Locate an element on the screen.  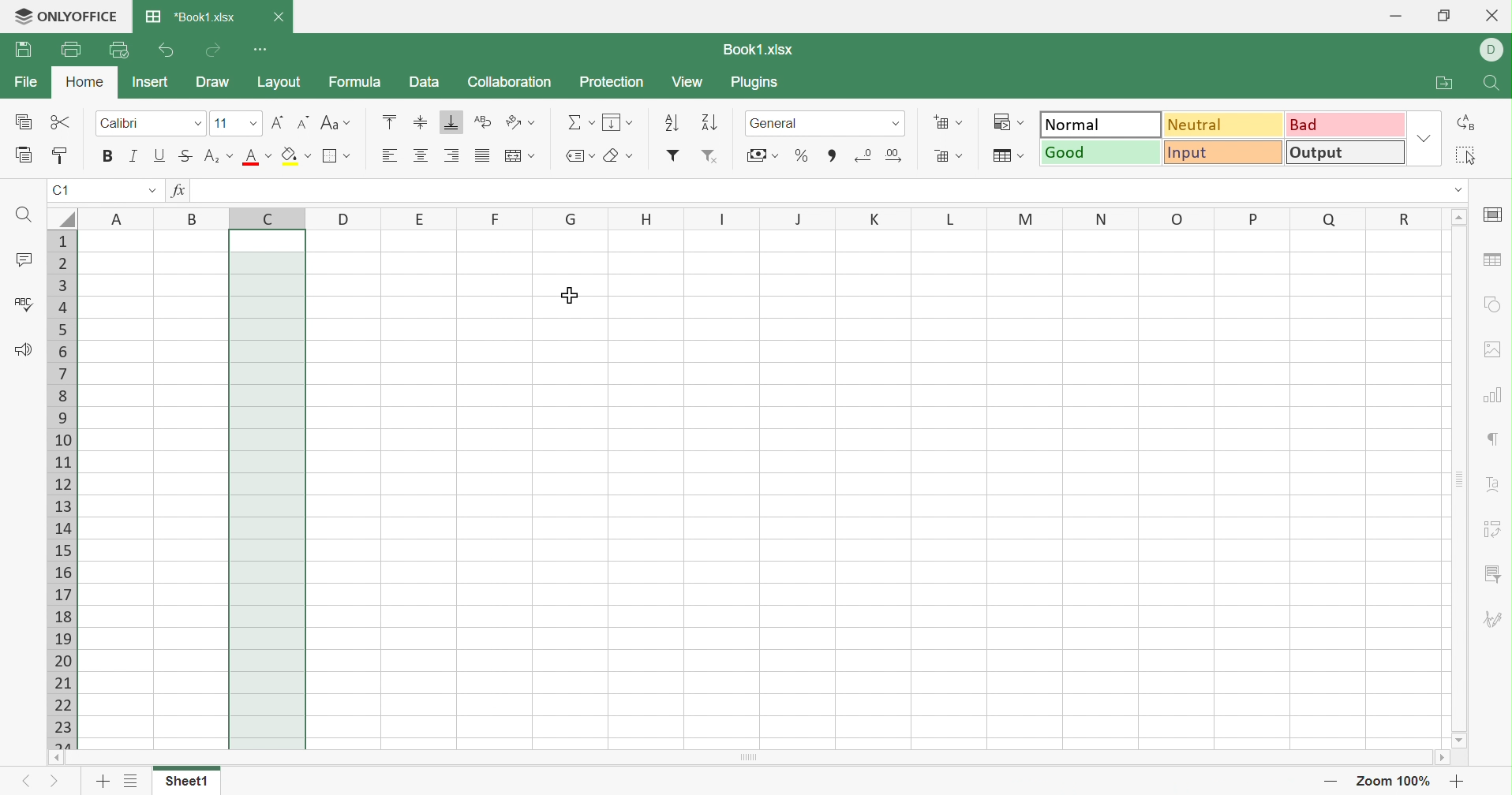
Align Right is located at coordinates (453, 157).